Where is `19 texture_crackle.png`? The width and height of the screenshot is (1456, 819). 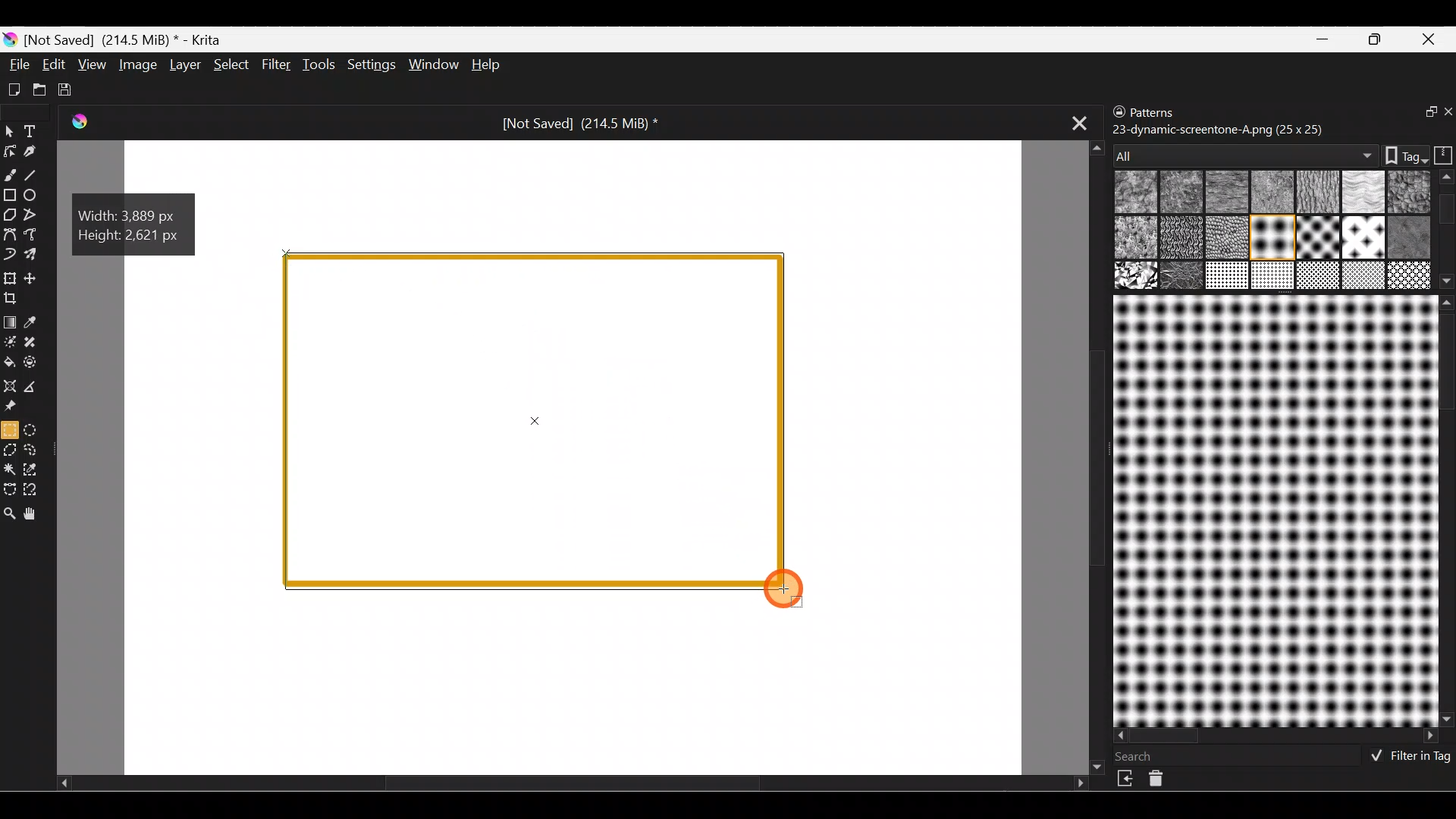 19 texture_crackle.png is located at coordinates (1363, 275).